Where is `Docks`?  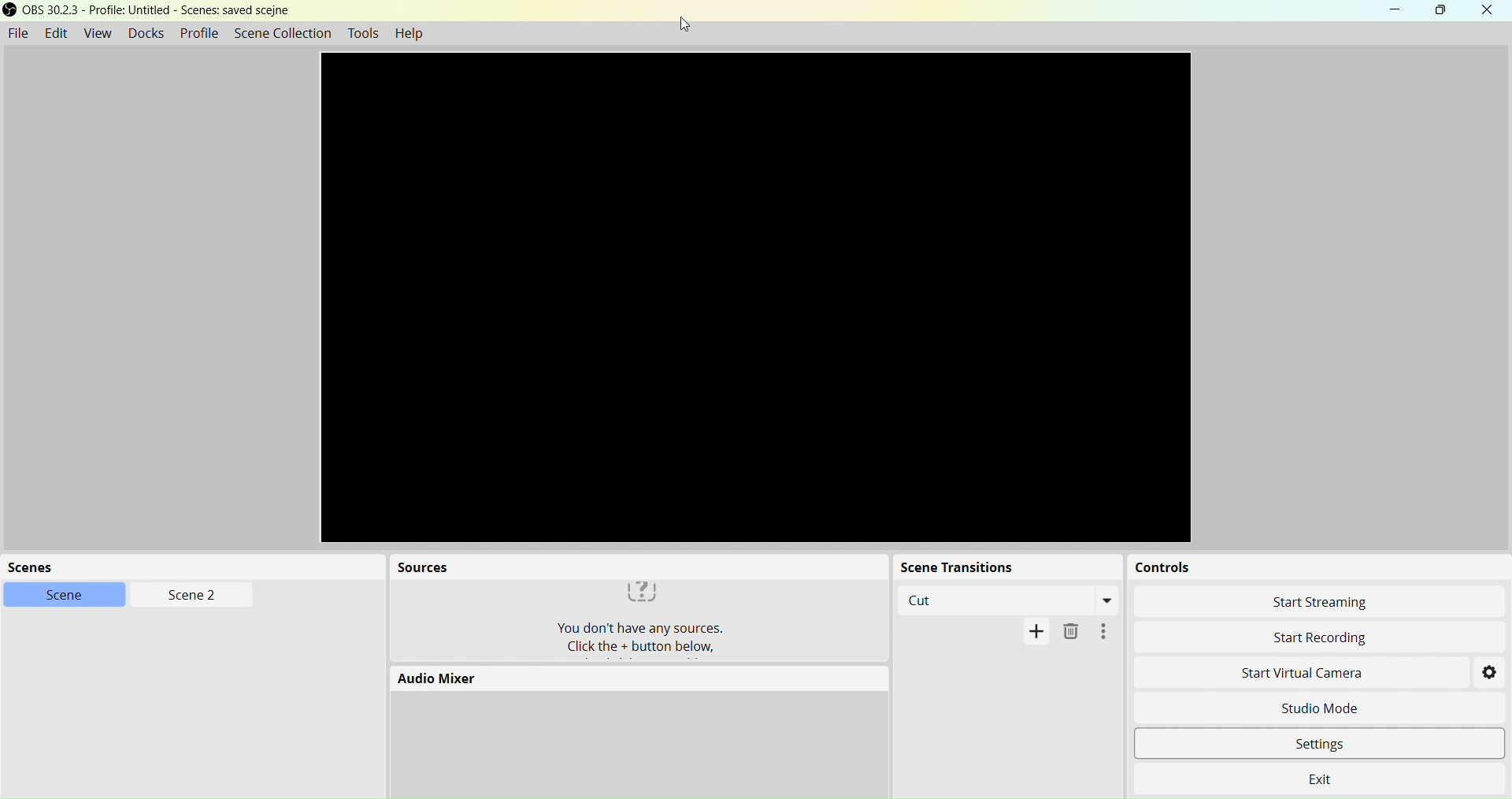
Docks is located at coordinates (144, 32).